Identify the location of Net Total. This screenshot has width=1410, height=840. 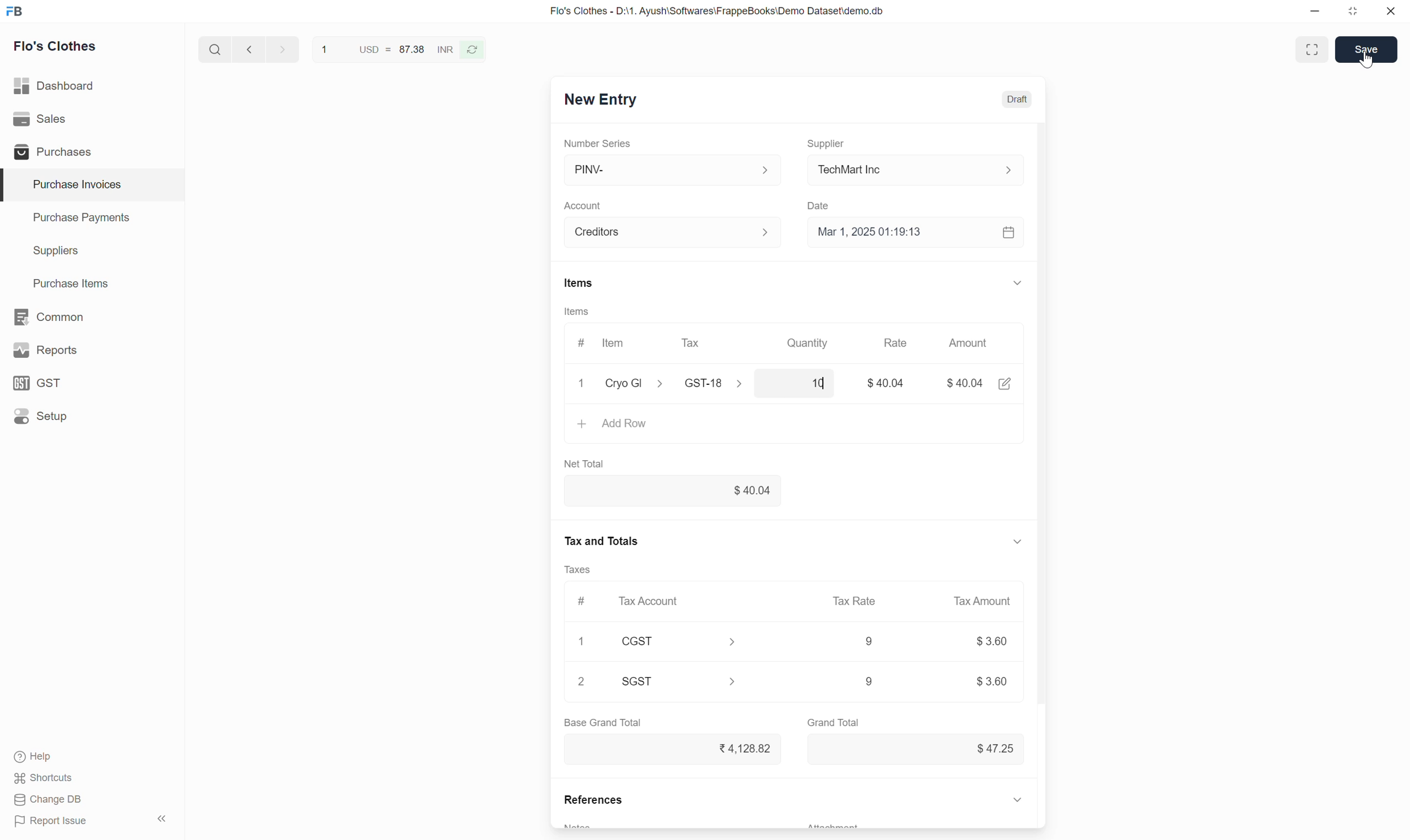
(589, 463).